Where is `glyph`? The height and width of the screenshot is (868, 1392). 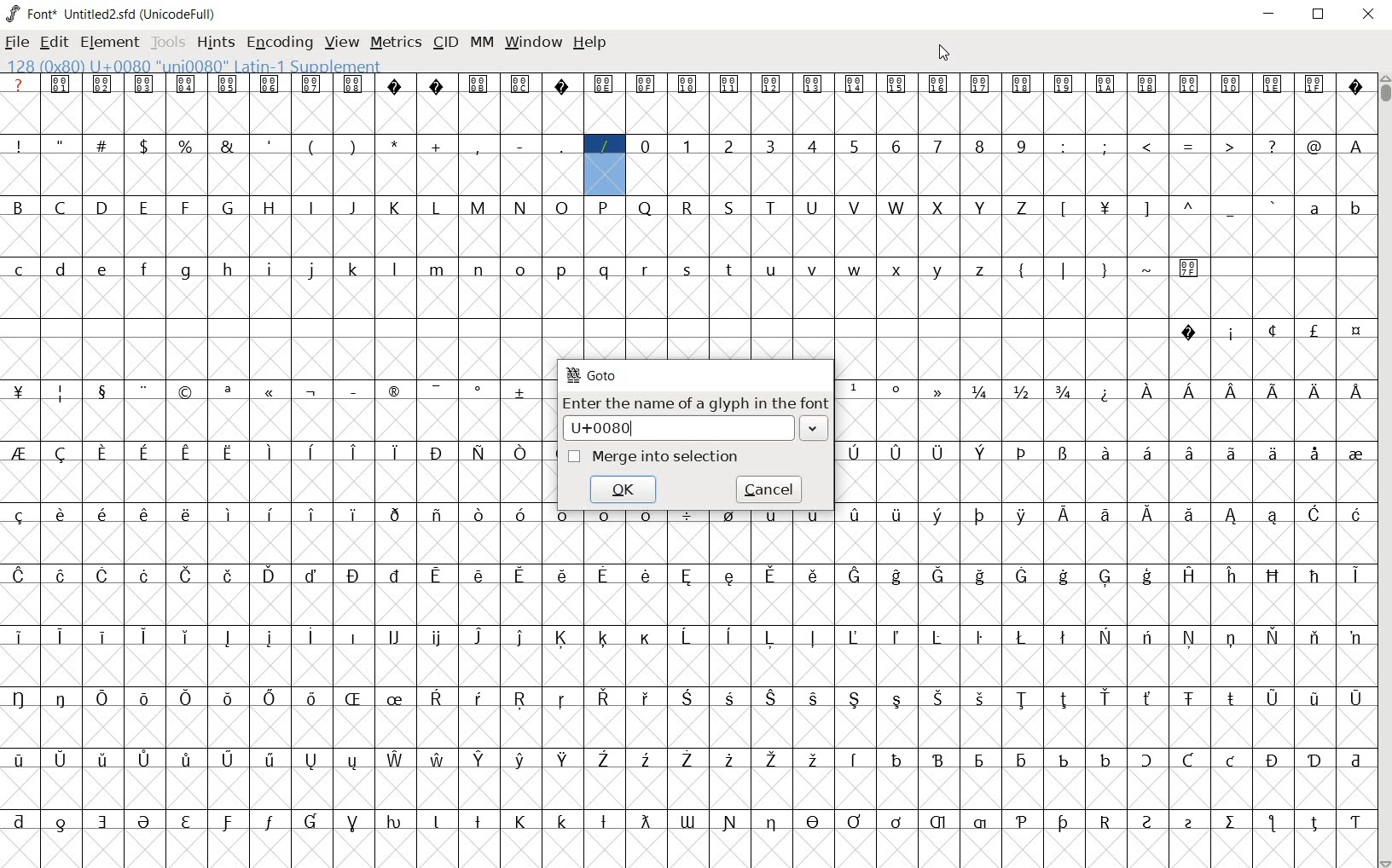 glyph is located at coordinates (772, 514).